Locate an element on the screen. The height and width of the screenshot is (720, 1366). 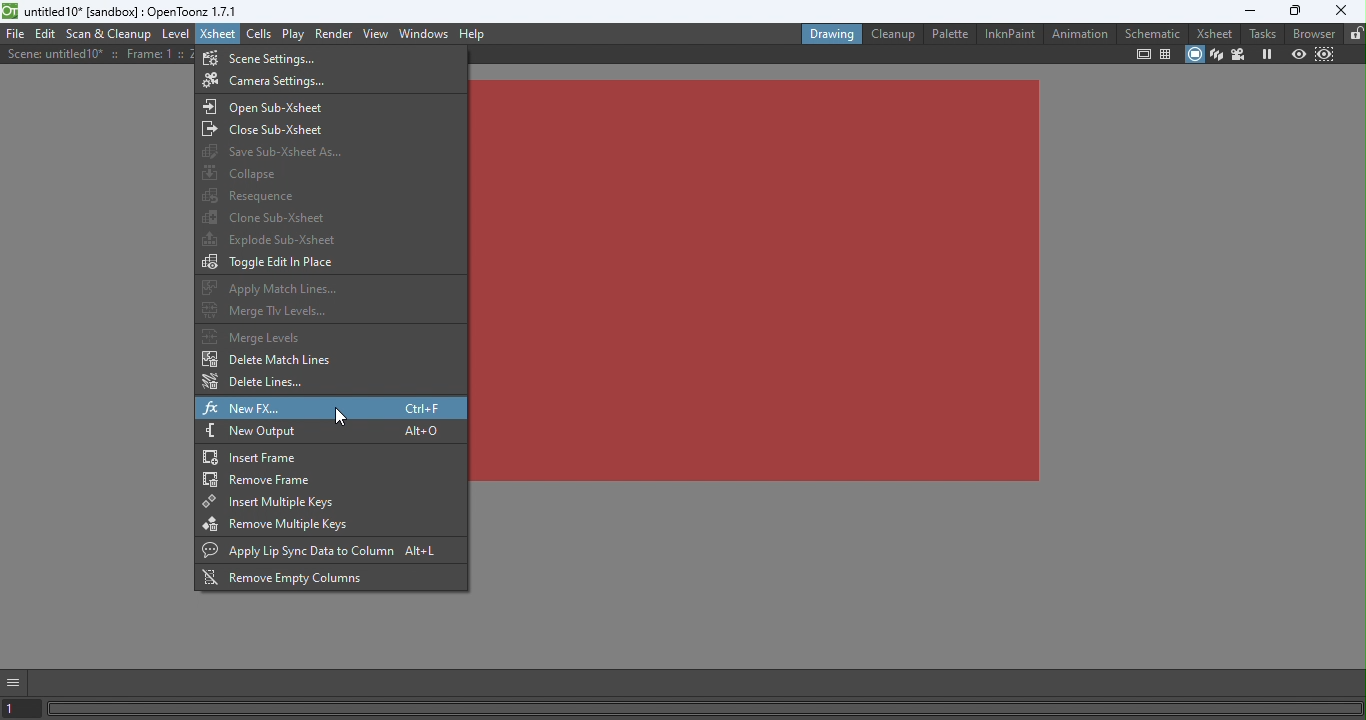
Apply match lines is located at coordinates (275, 288).